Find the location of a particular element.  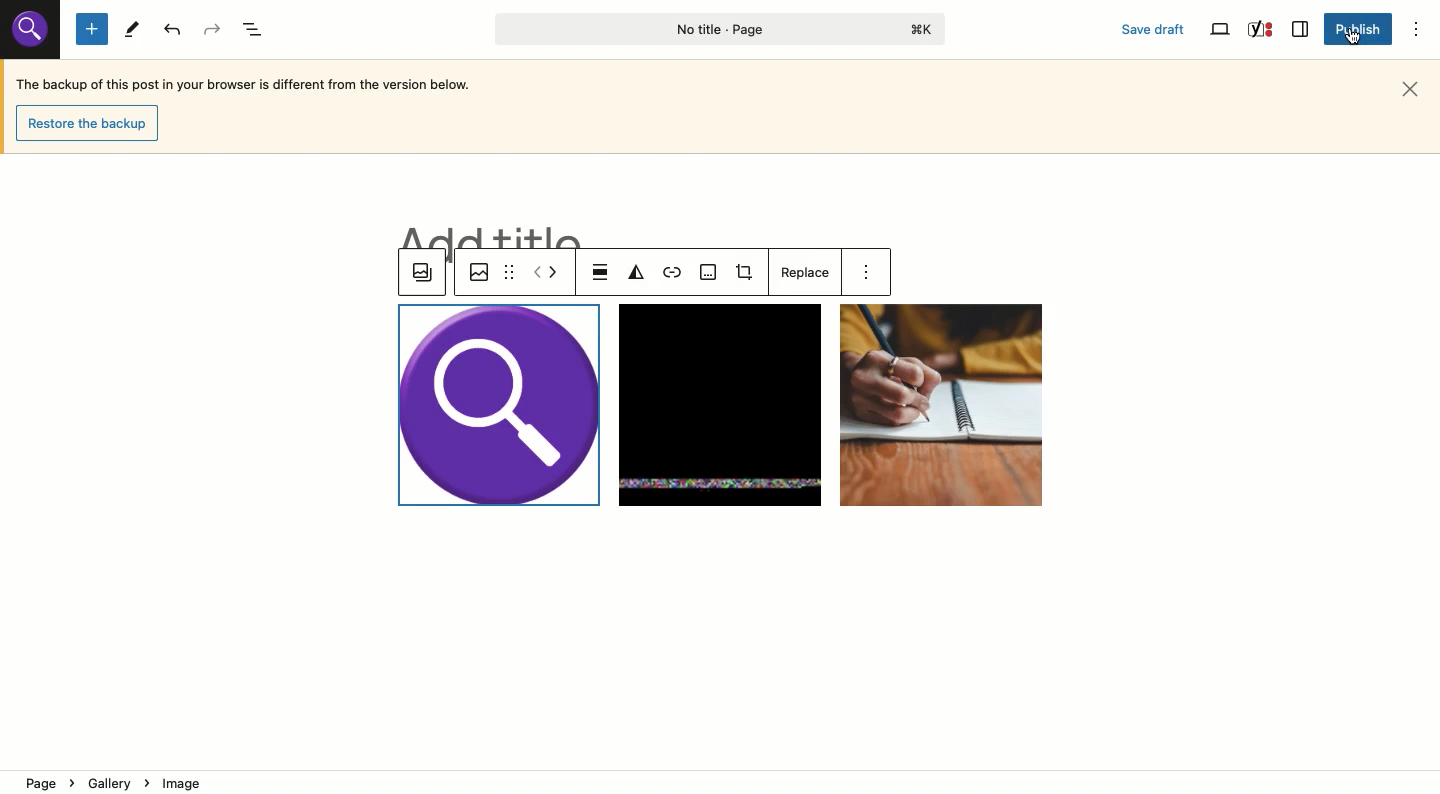

Drag is located at coordinates (508, 271).